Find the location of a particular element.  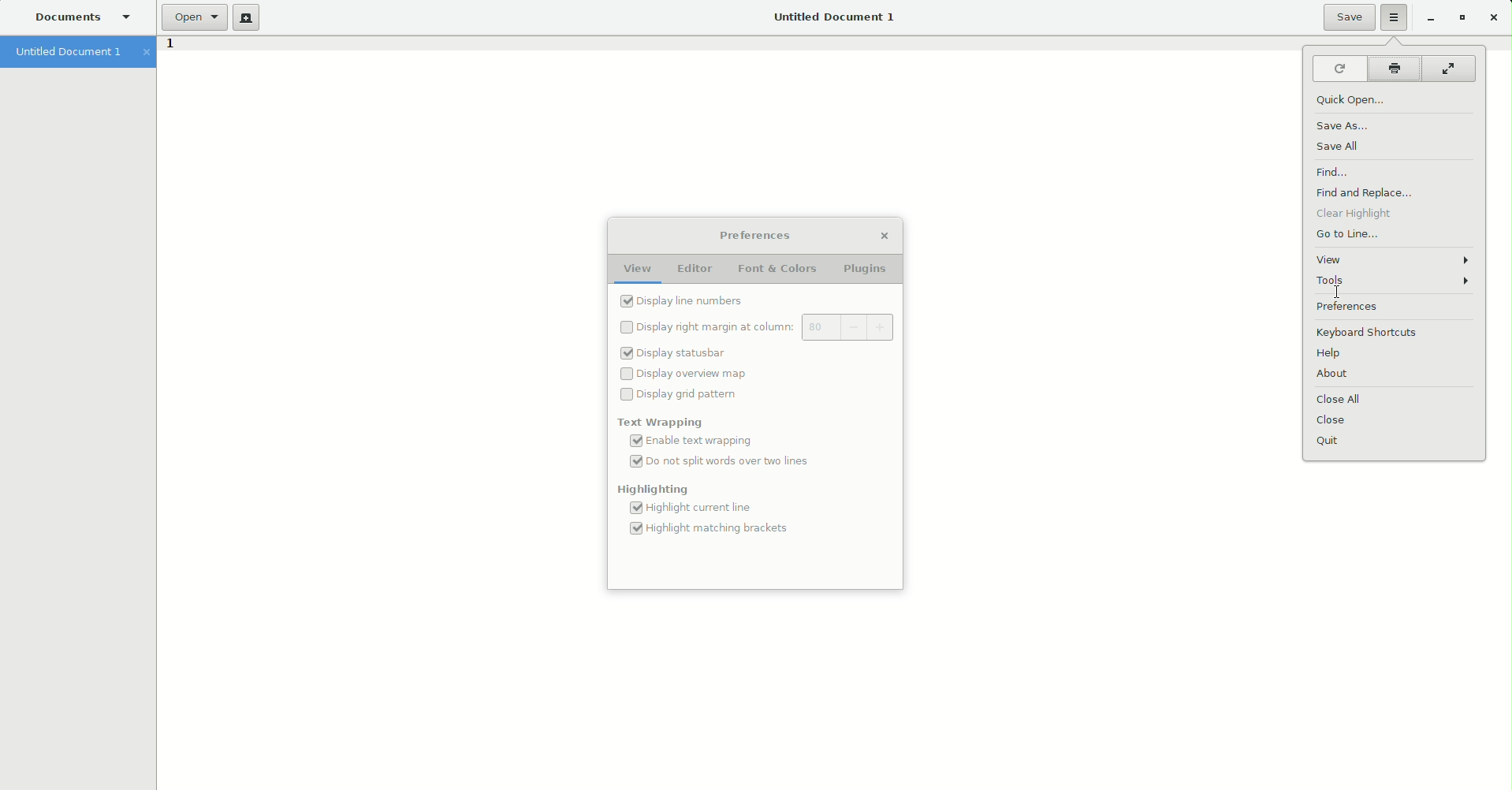

Enable text wrapping is located at coordinates (697, 441).